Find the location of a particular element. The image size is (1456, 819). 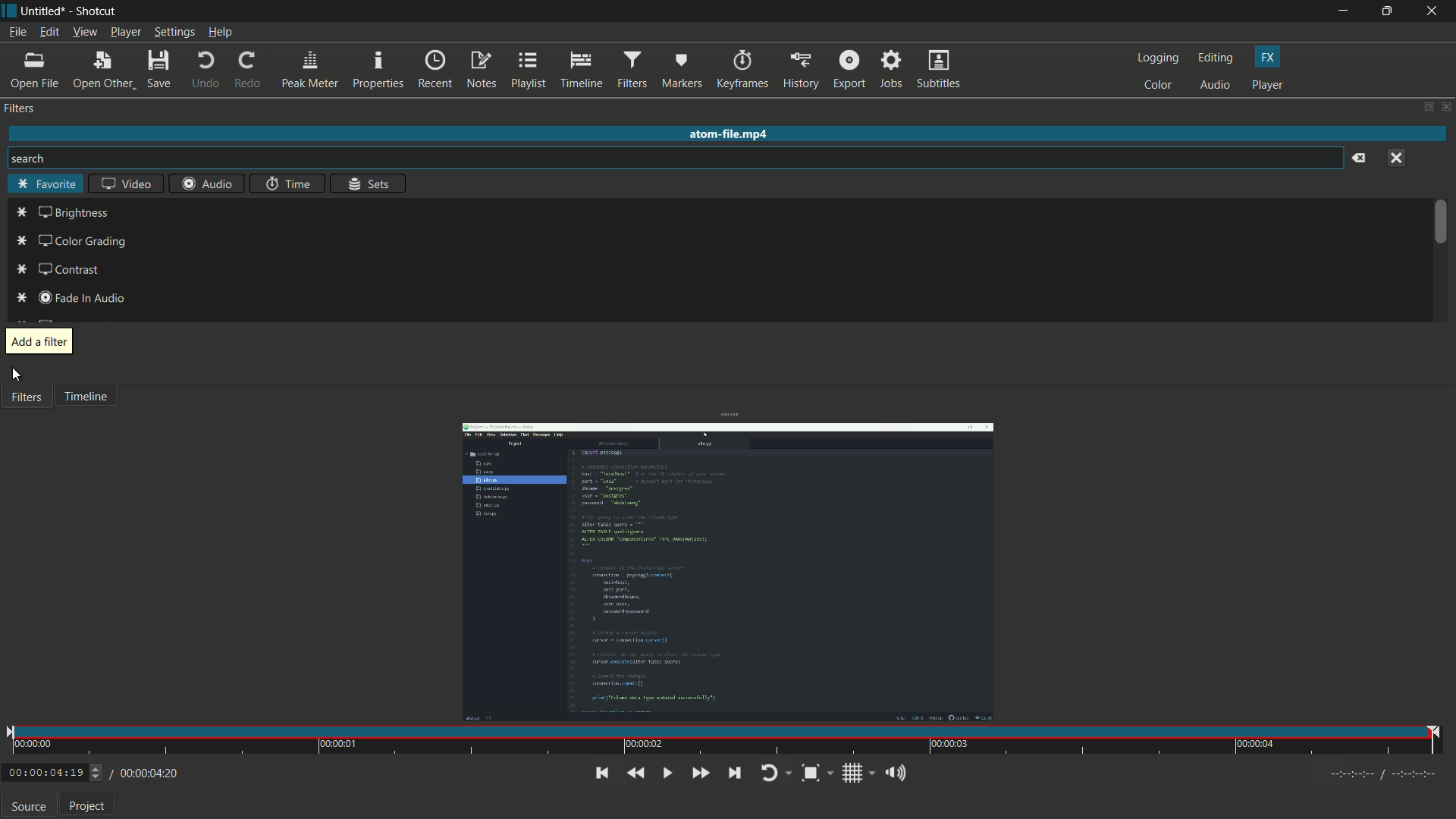

timeline is located at coordinates (579, 71).